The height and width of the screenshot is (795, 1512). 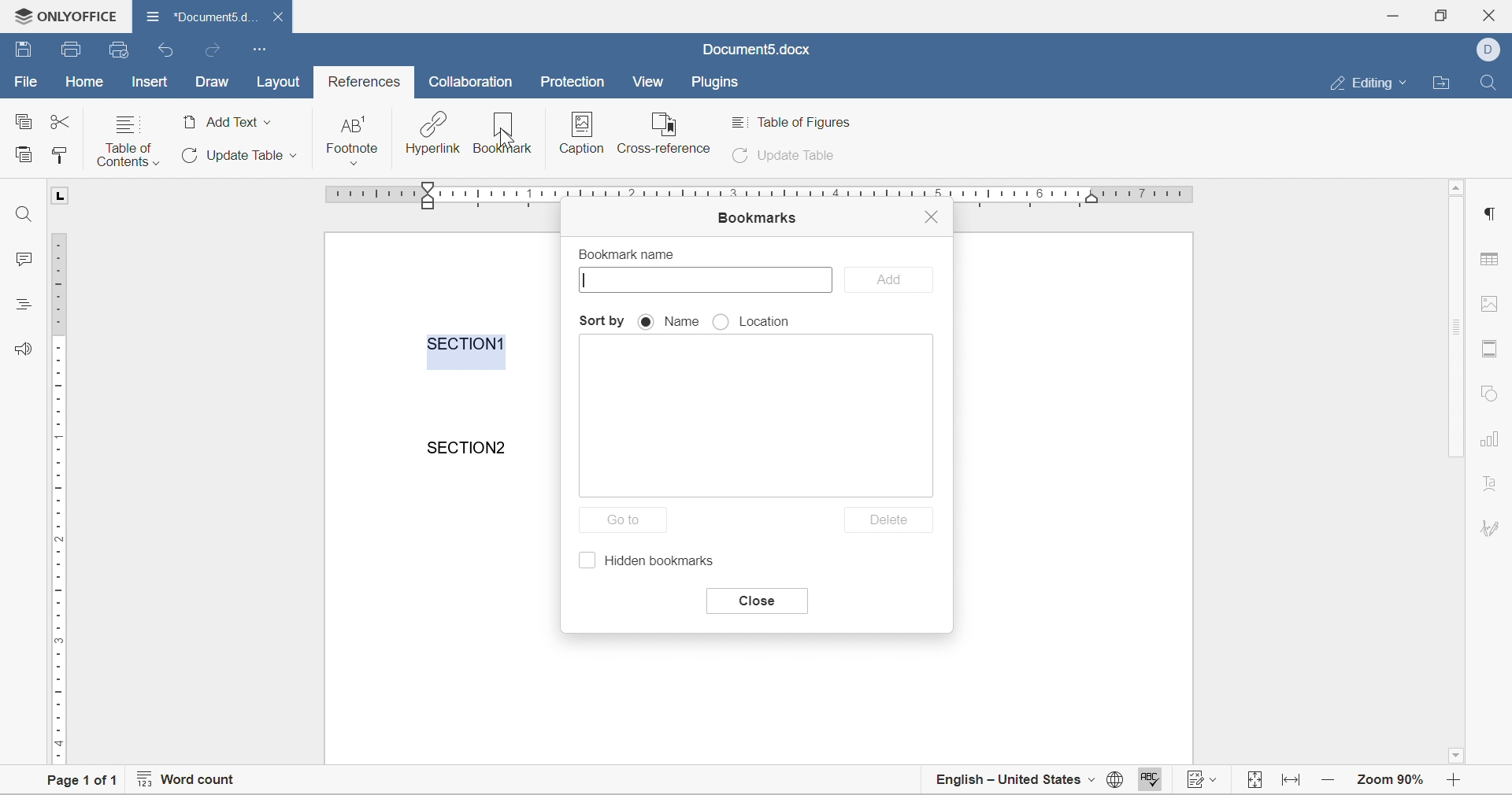 What do you see at coordinates (1488, 349) in the screenshot?
I see `header & footer settings` at bounding box center [1488, 349].